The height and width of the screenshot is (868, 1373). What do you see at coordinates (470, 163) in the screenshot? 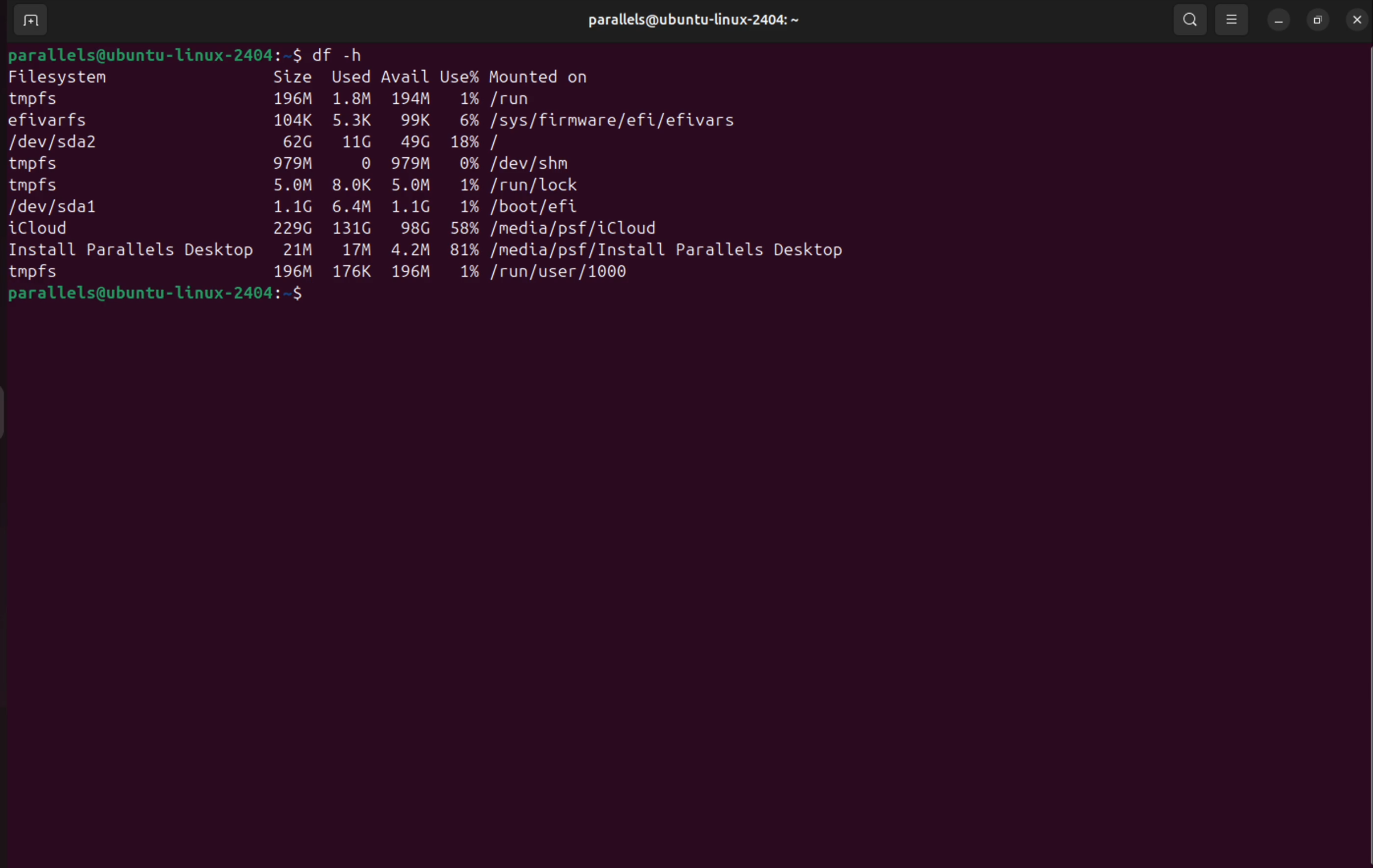
I see `0%` at bounding box center [470, 163].